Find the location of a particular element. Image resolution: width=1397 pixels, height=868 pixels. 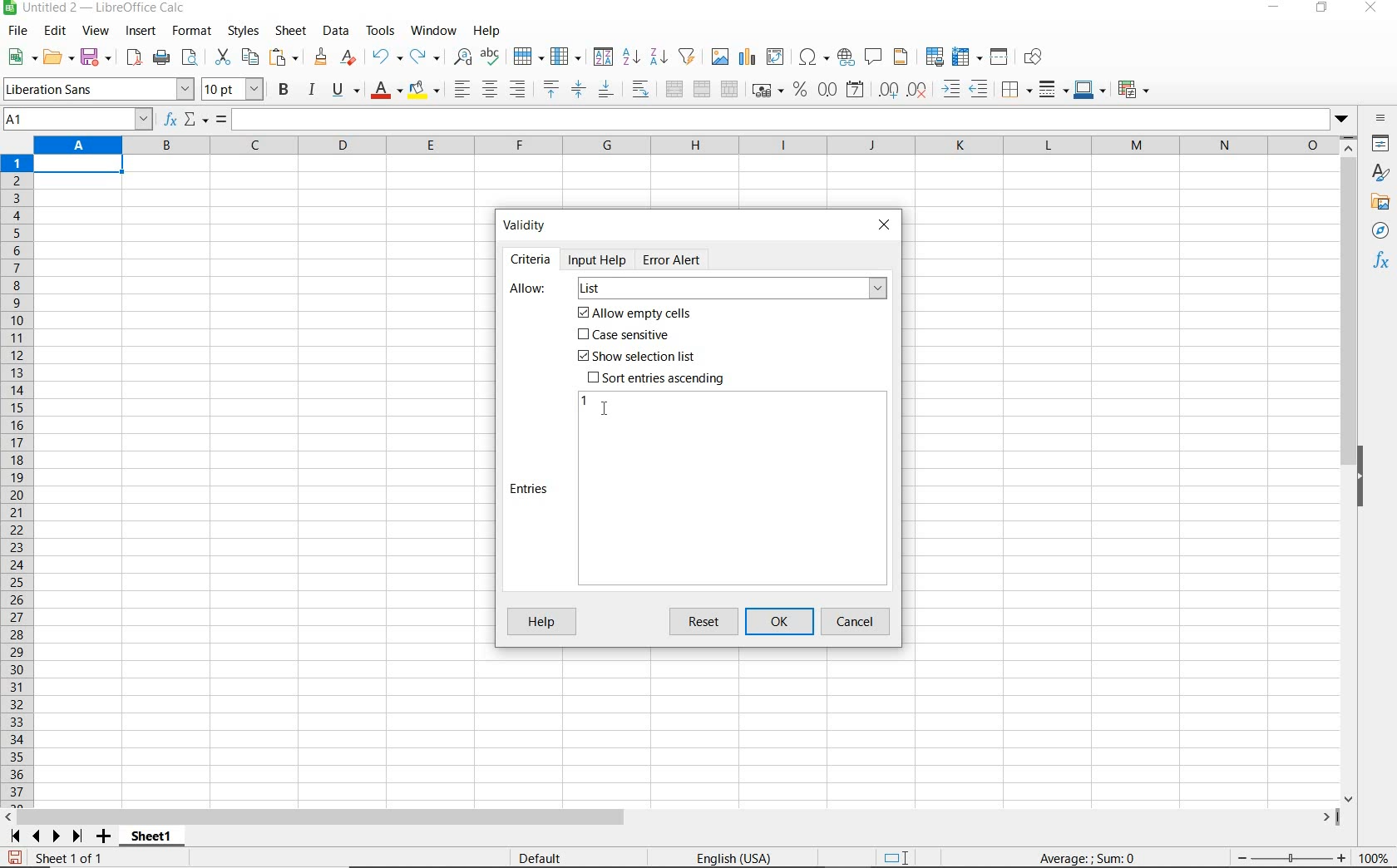

format as currency is located at coordinates (767, 88).